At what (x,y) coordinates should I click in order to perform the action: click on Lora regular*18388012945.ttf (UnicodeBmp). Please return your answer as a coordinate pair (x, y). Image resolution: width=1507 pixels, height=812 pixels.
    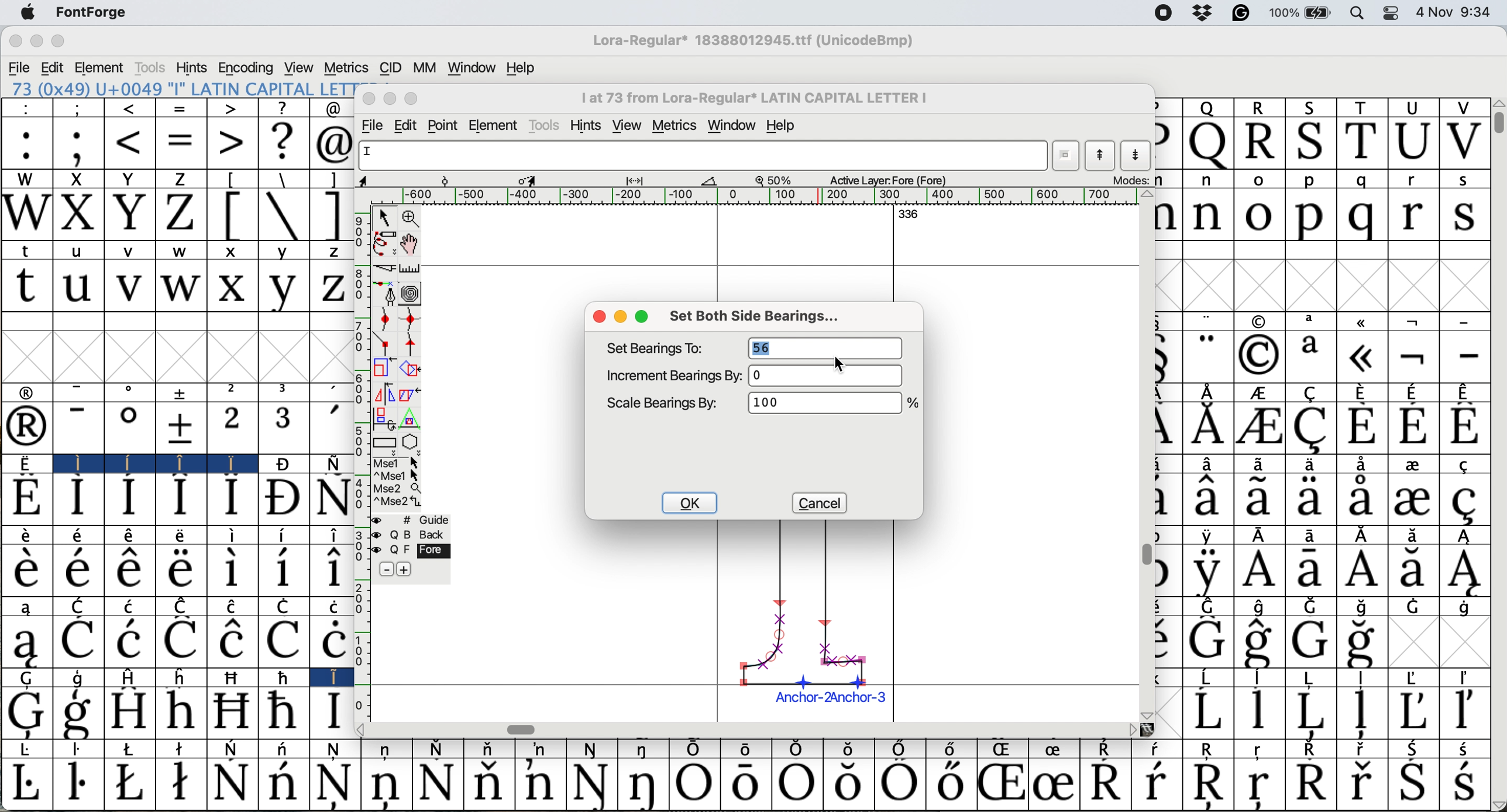
    Looking at the image, I should click on (750, 42).